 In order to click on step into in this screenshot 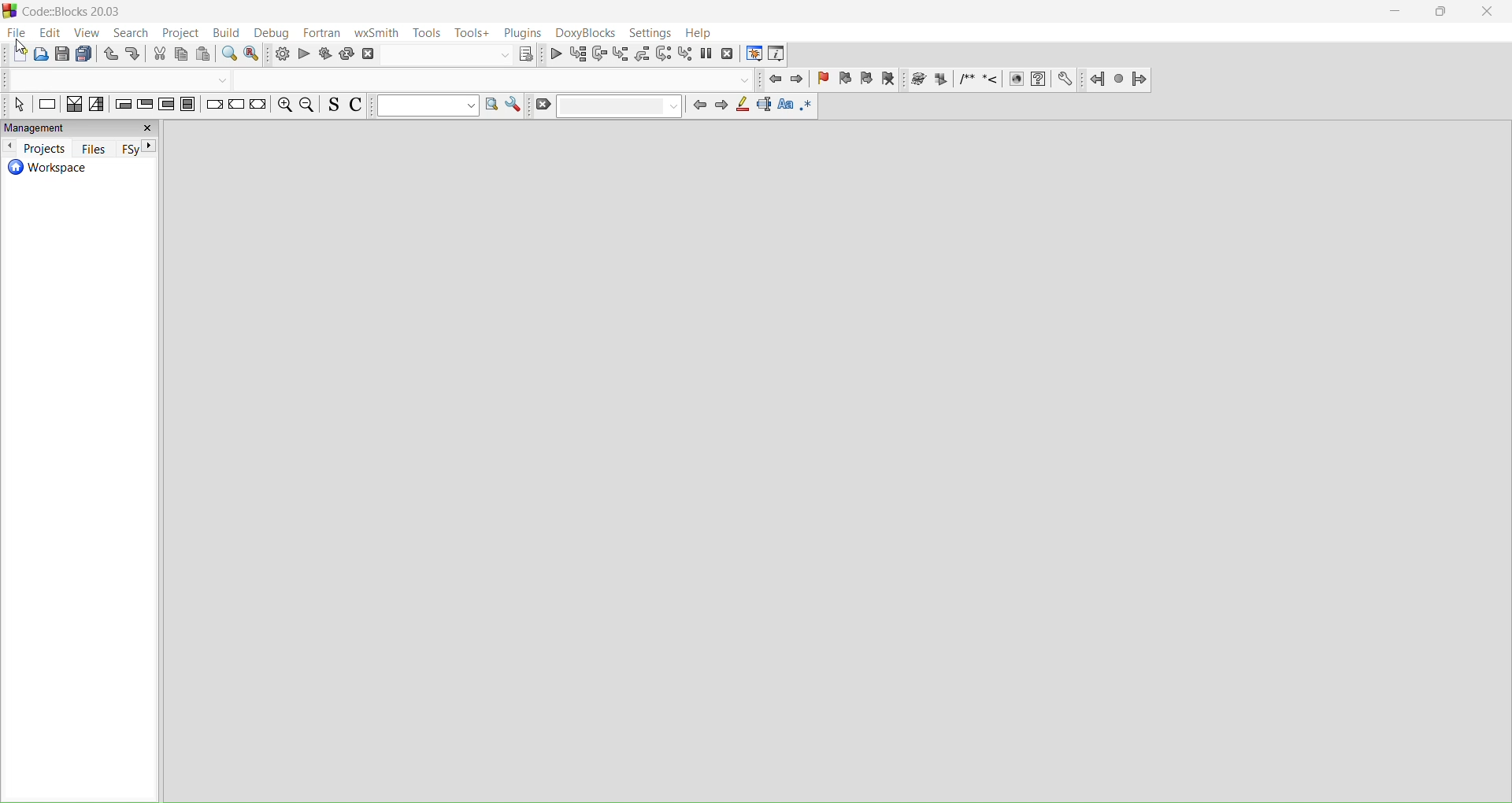, I will do `click(621, 54)`.